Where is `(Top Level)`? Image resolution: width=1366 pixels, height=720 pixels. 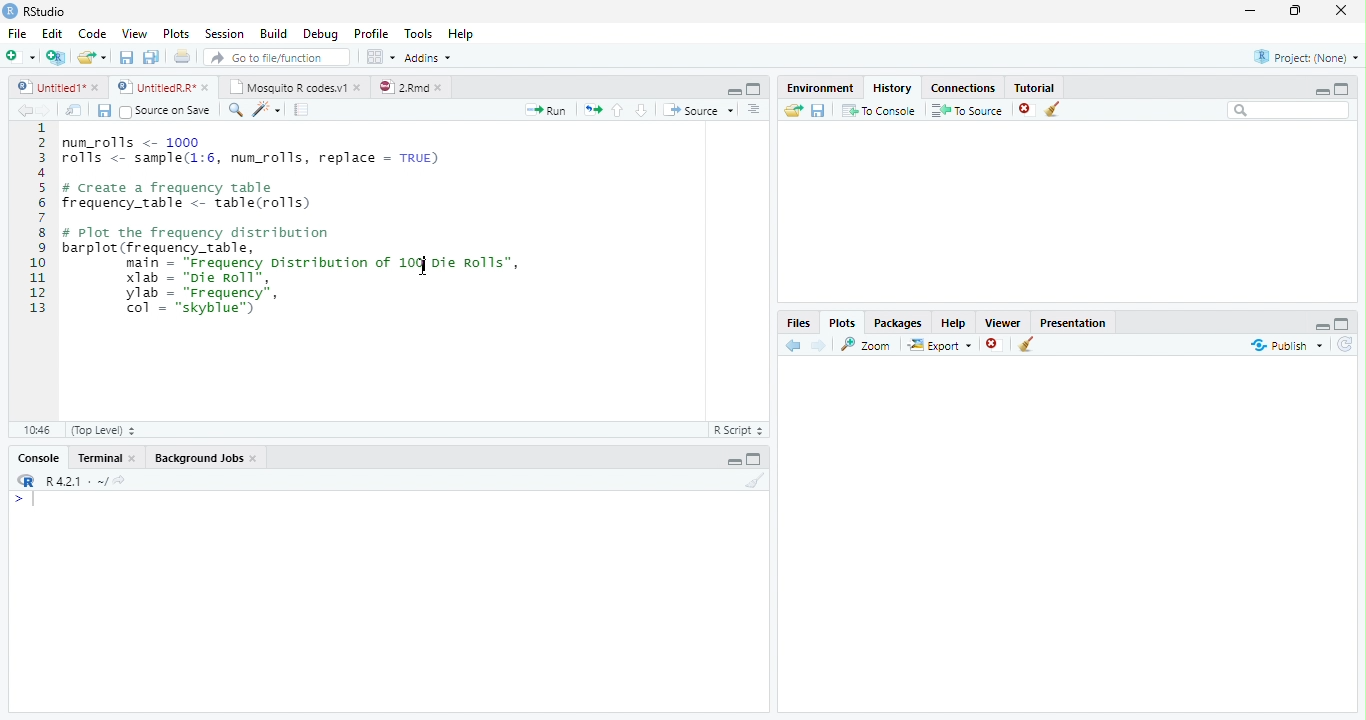 (Top Level) is located at coordinates (103, 430).